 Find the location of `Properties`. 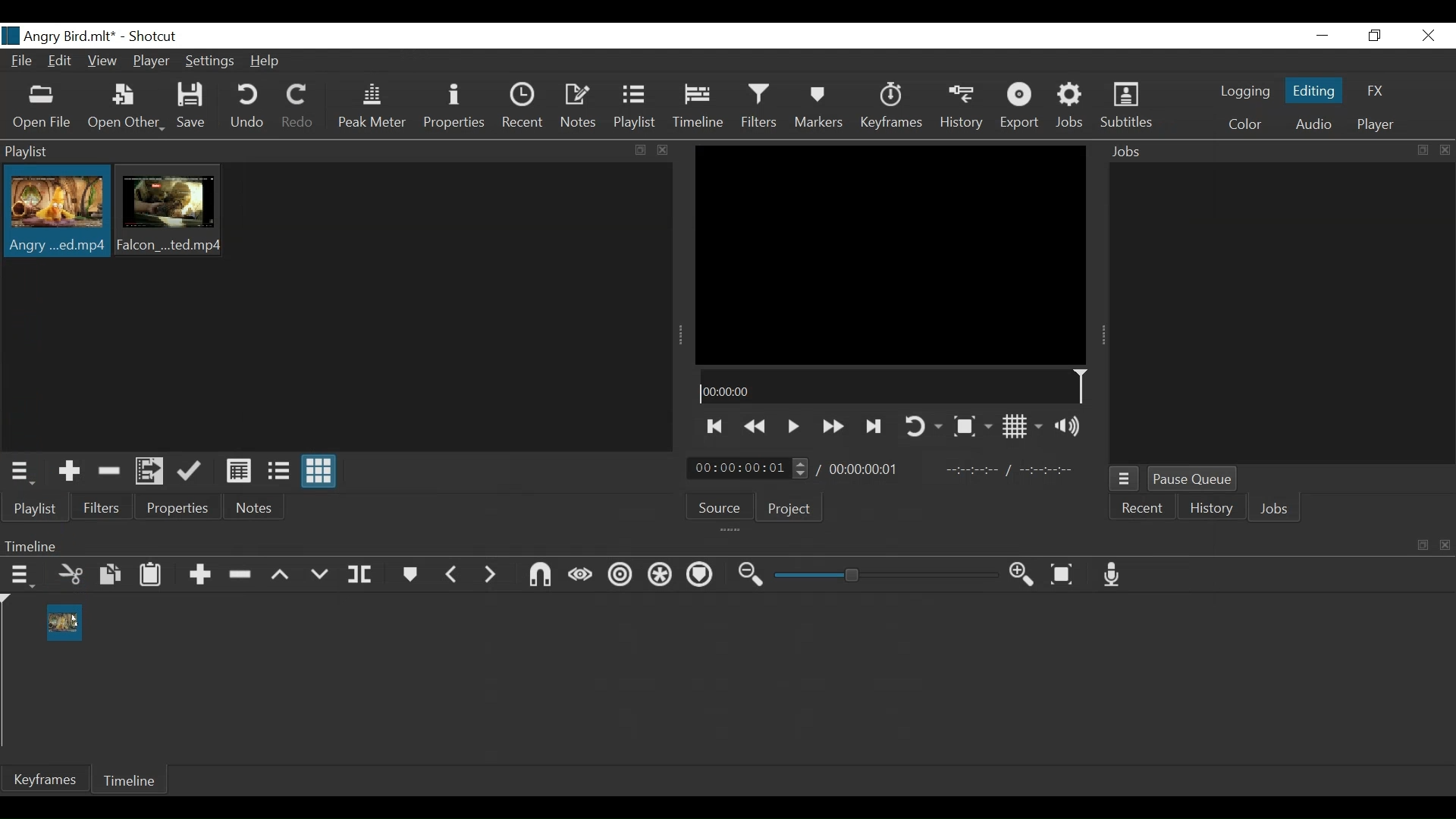

Properties is located at coordinates (176, 507).